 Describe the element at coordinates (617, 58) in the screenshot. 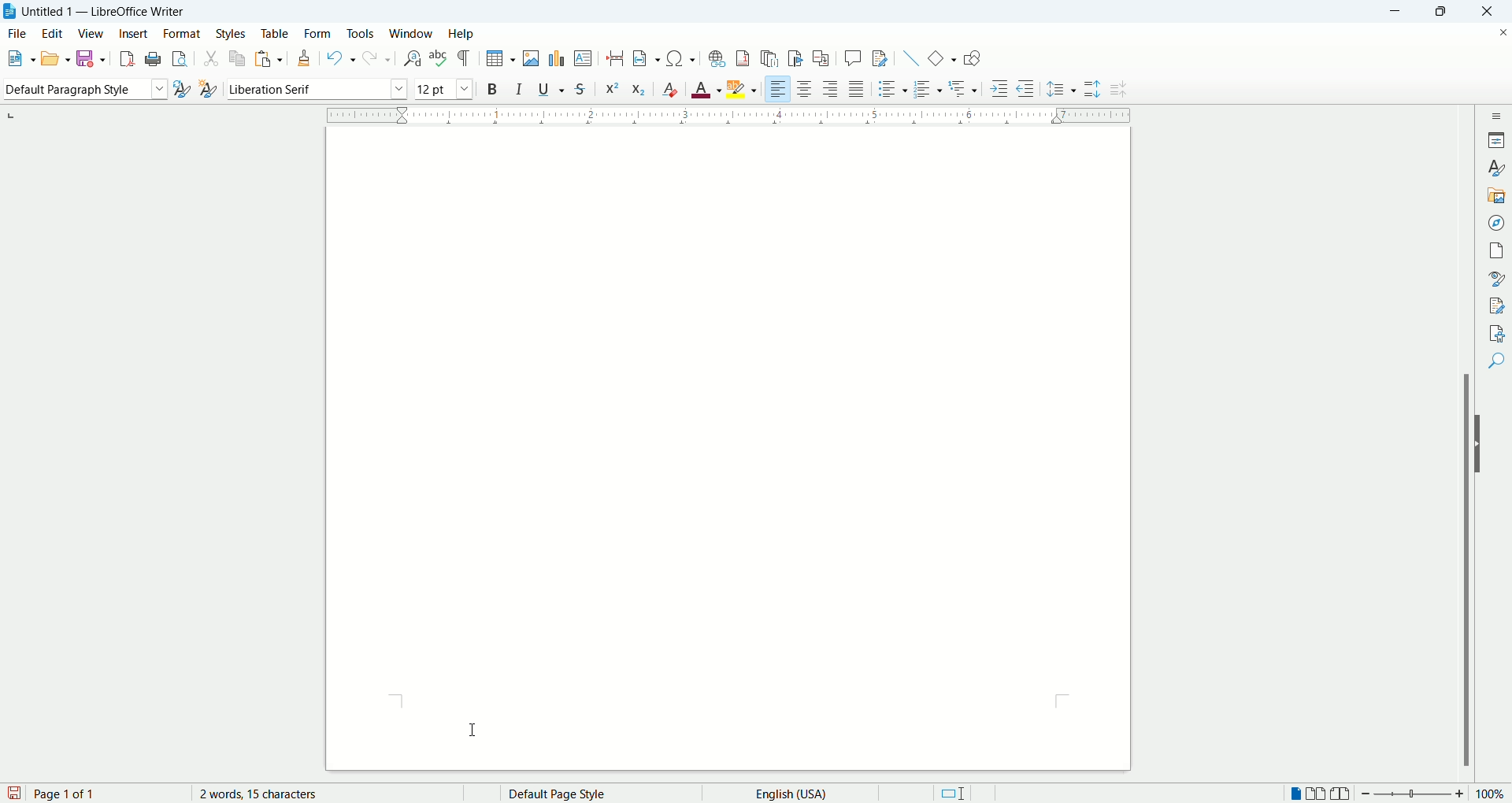

I see `insert page break` at that location.